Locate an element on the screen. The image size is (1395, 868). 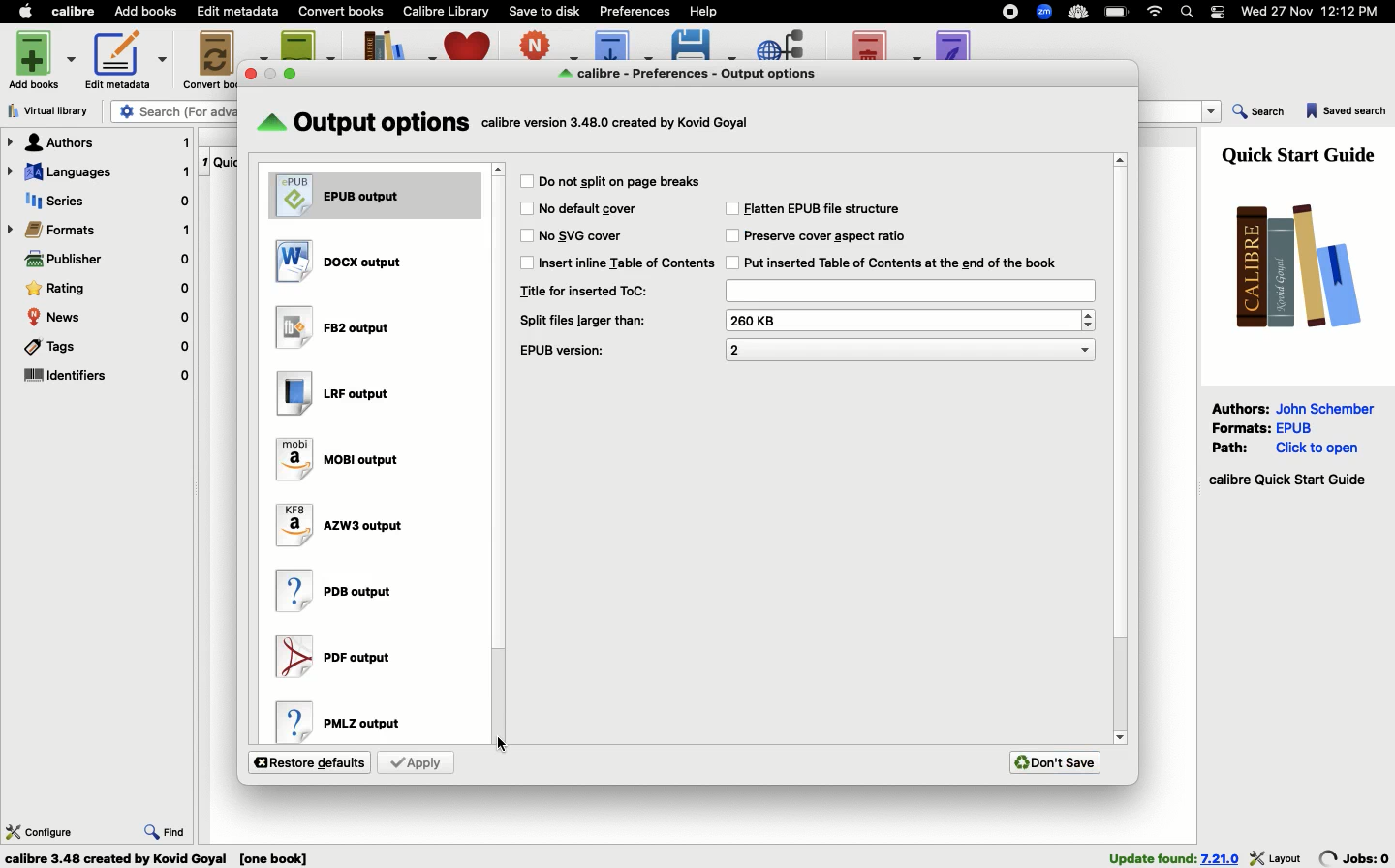
Preferences is located at coordinates (636, 10).